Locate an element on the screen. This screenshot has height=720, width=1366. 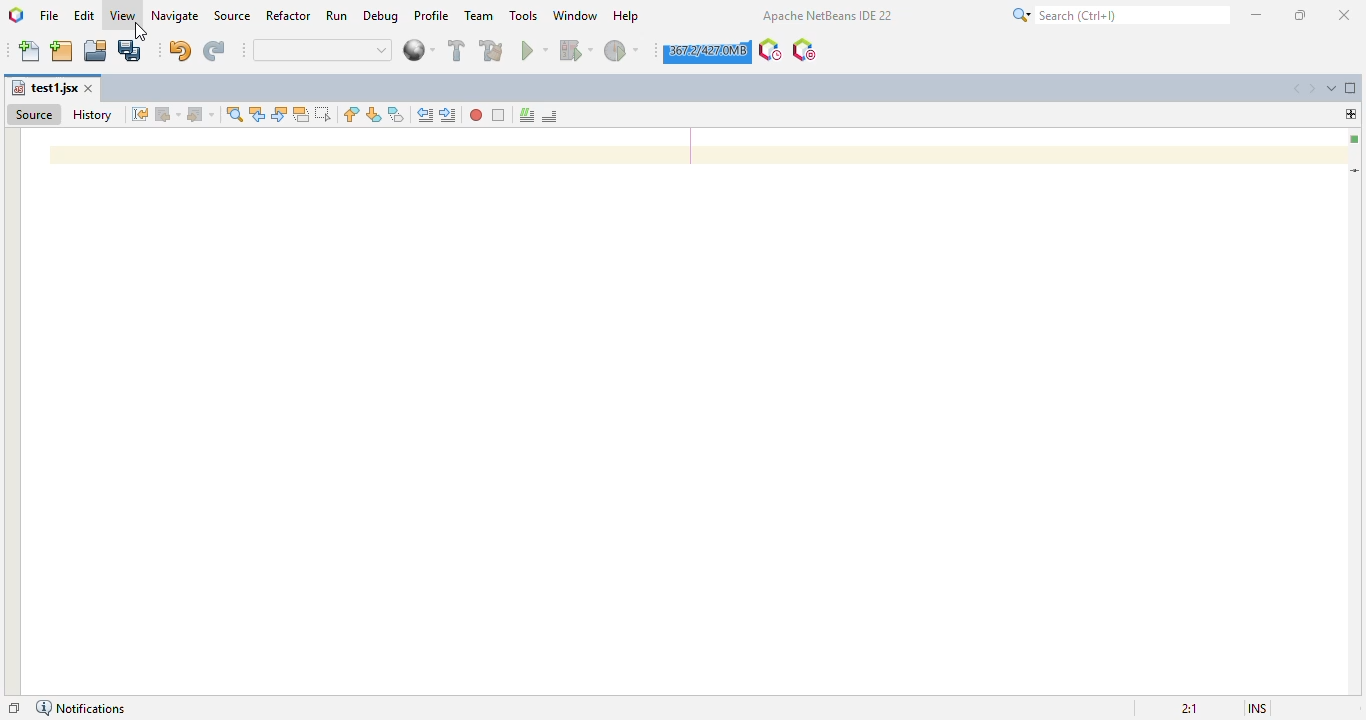
run is located at coordinates (337, 15).